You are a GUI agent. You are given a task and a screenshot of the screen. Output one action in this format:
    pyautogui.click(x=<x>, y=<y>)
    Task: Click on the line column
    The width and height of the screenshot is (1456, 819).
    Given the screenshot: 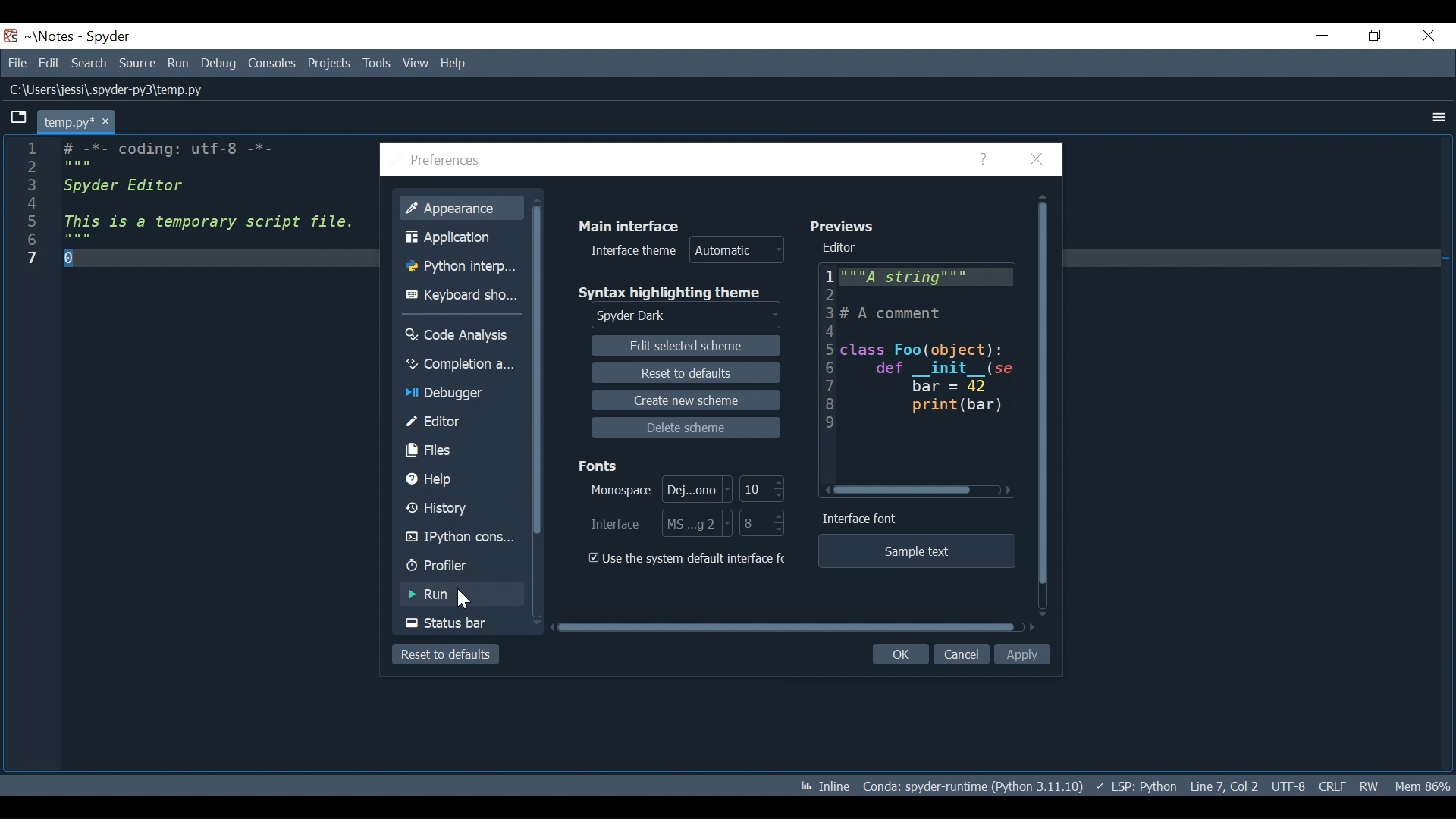 What is the action you would take?
    pyautogui.click(x=34, y=455)
    